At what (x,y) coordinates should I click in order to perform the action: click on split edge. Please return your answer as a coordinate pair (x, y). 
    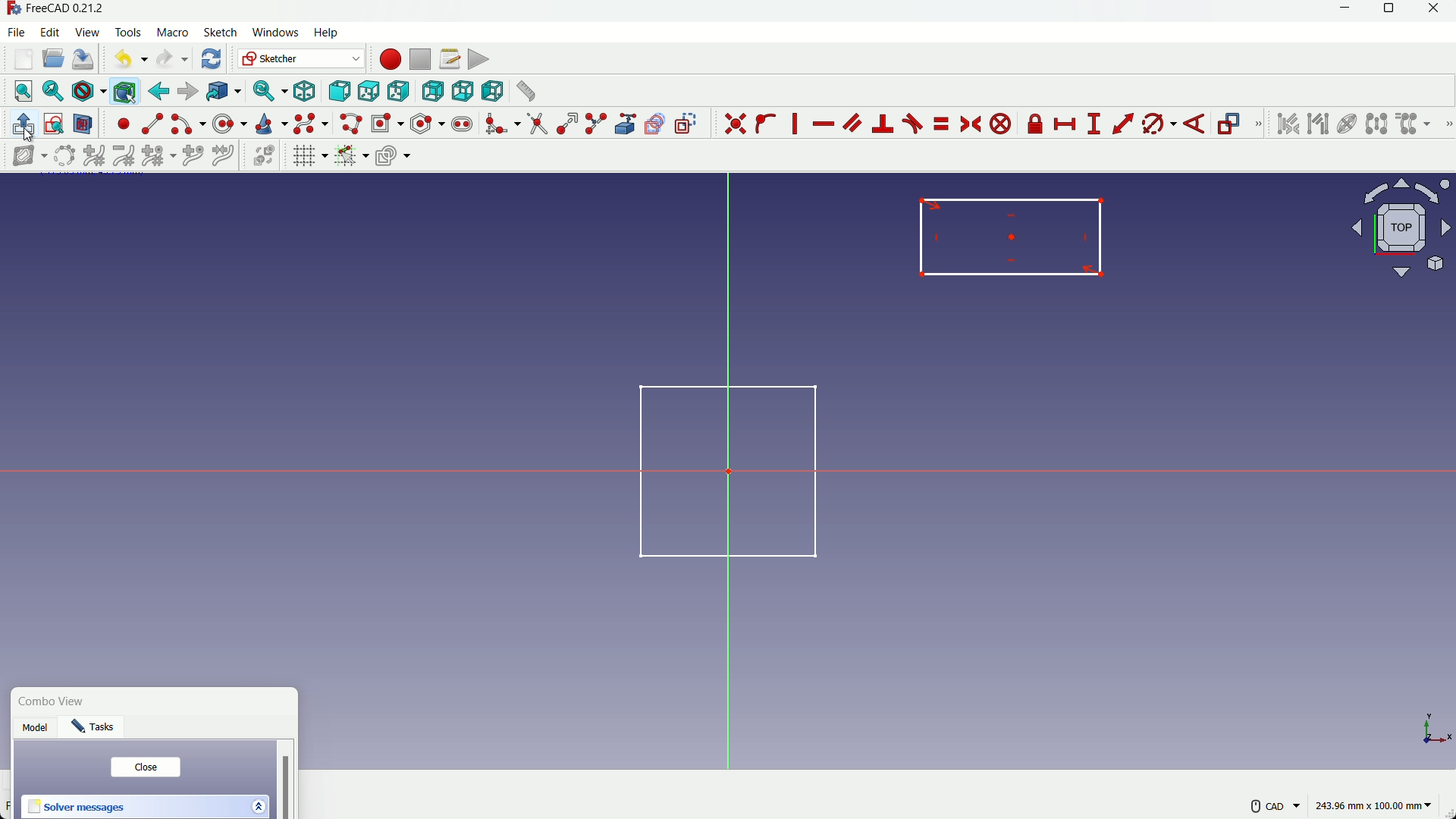
    Looking at the image, I should click on (598, 124).